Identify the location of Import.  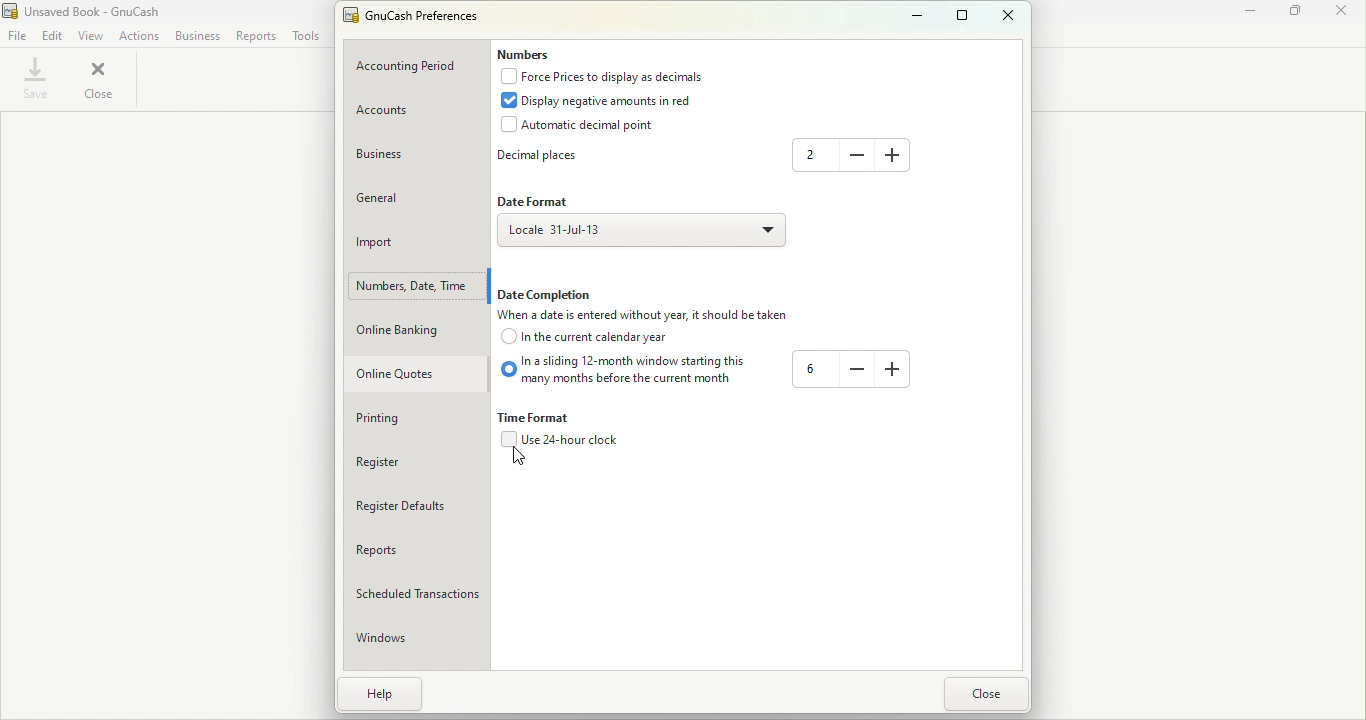
(402, 241).